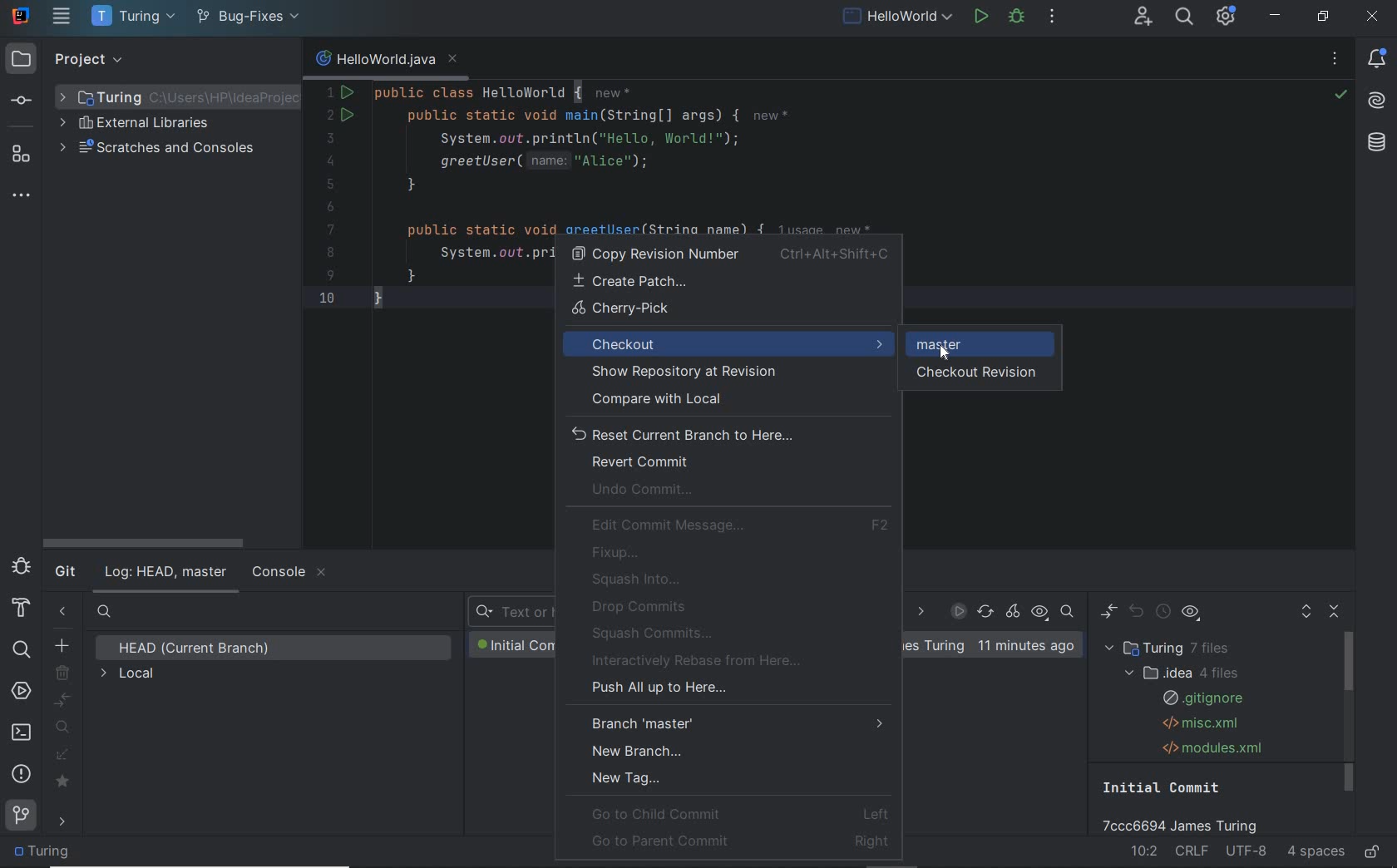 The image size is (1397, 868). Describe the element at coordinates (1201, 698) in the screenshot. I see `.gitignore` at that location.